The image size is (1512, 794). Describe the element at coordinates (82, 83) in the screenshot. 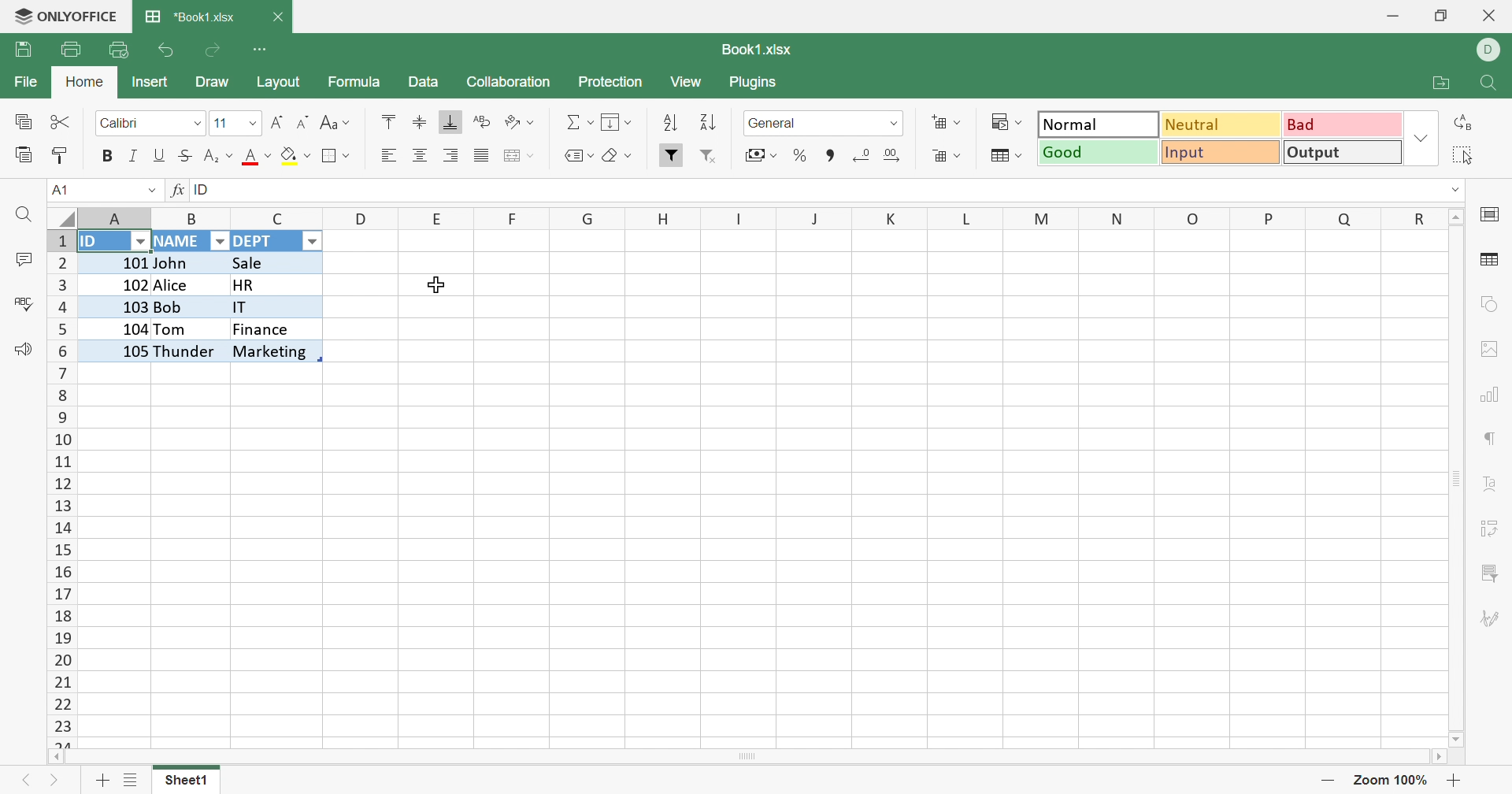

I see `Home` at that location.